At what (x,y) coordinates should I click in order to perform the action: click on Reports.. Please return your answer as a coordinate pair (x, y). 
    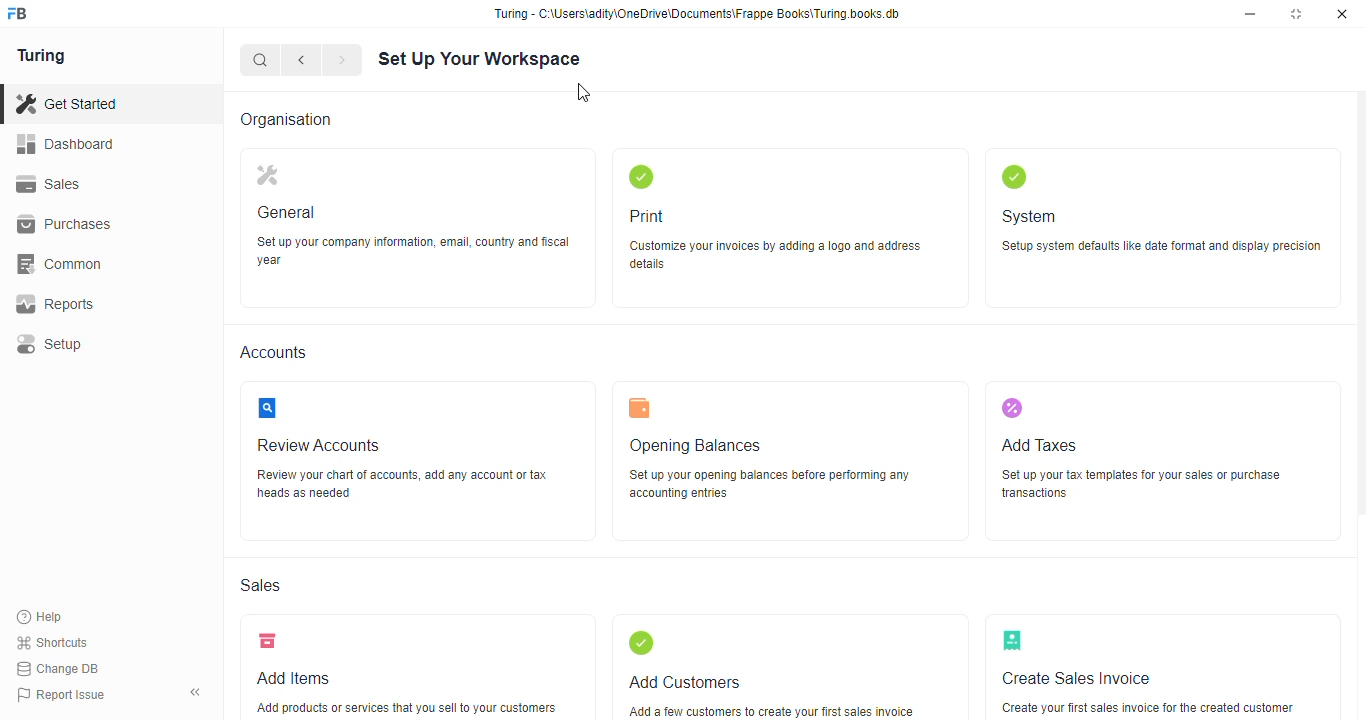
    Looking at the image, I should click on (108, 304).